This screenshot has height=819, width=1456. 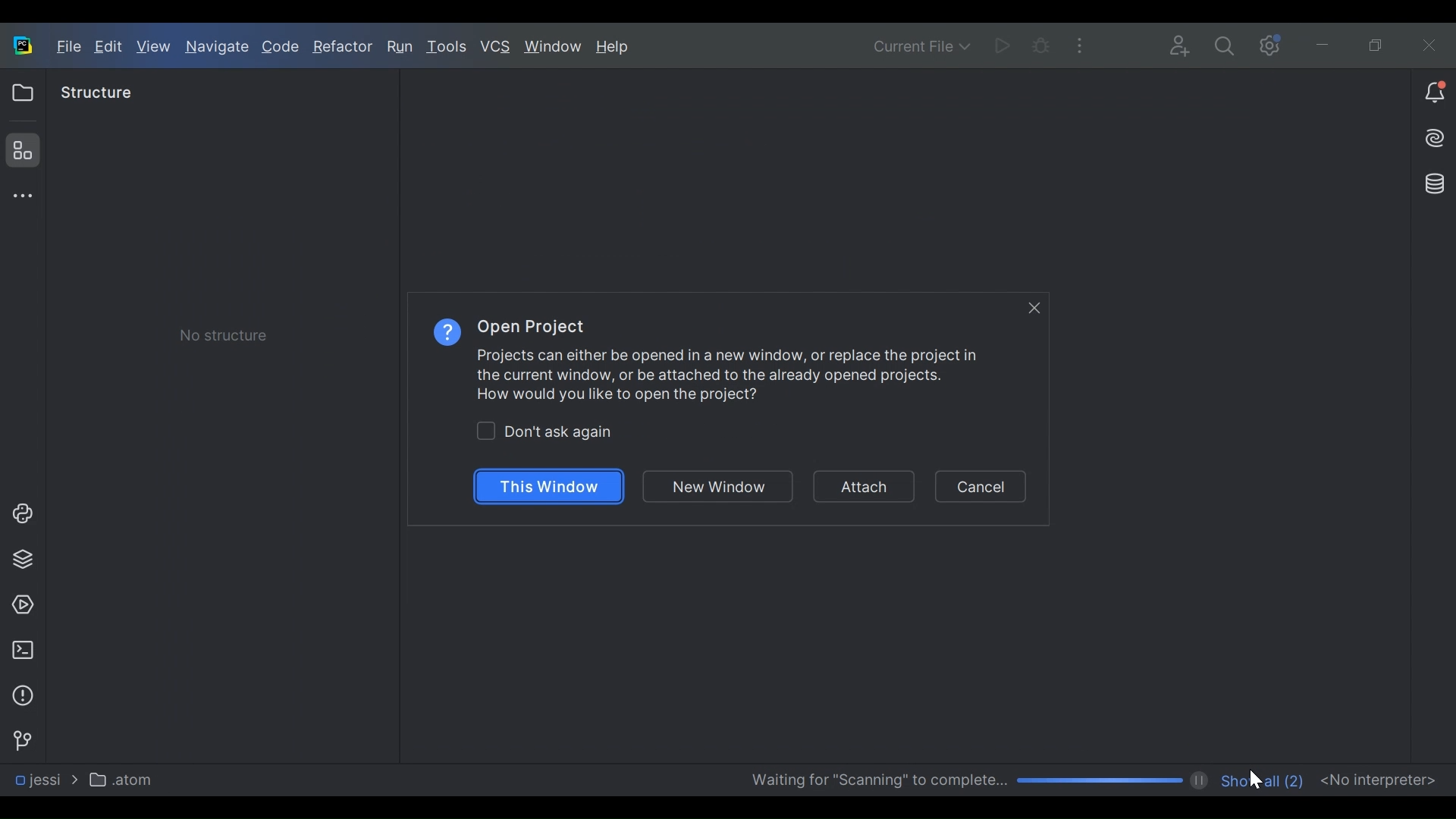 I want to click on Projects can either be opened in a new window, or replace the project in the current window, or be attached to the already opened projects. How would you like to open the project?, so click(x=725, y=376).